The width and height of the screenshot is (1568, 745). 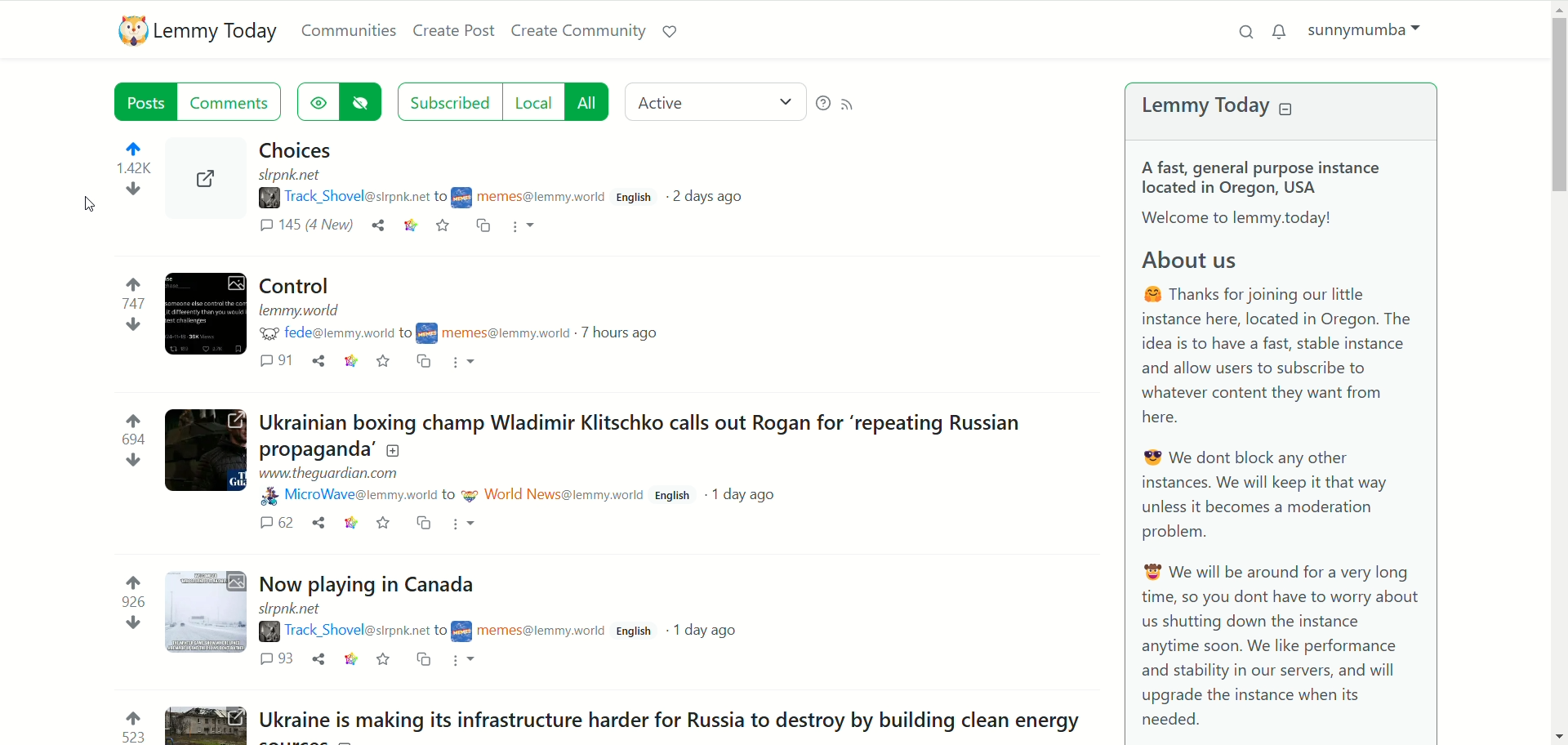 What do you see at coordinates (443, 194) in the screenshot?
I see `to` at bounding box center [443, 194].